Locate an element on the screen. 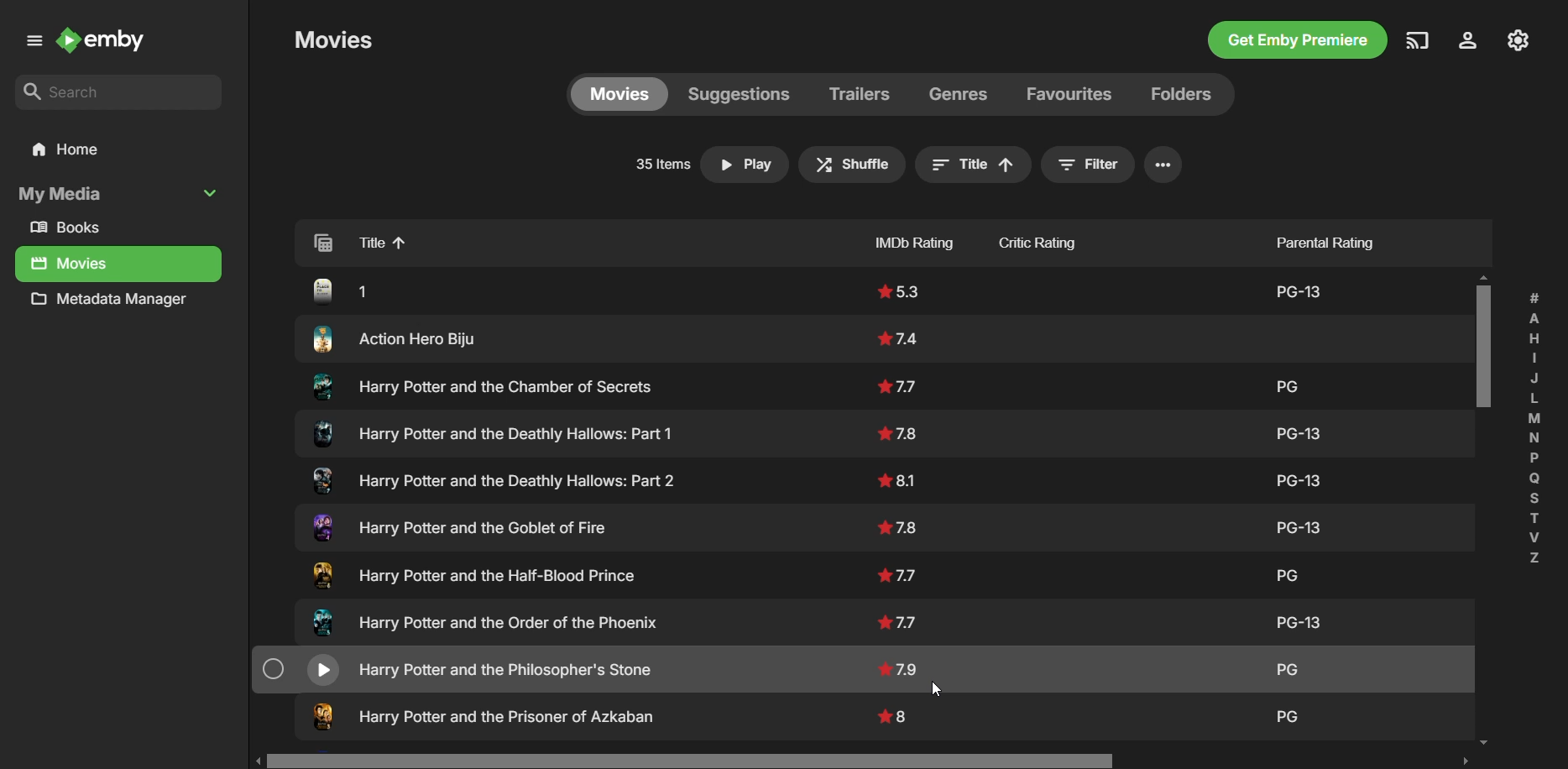 The height and width of the screenshot is (769, 1568).  is located at coordinates (1304, 521).